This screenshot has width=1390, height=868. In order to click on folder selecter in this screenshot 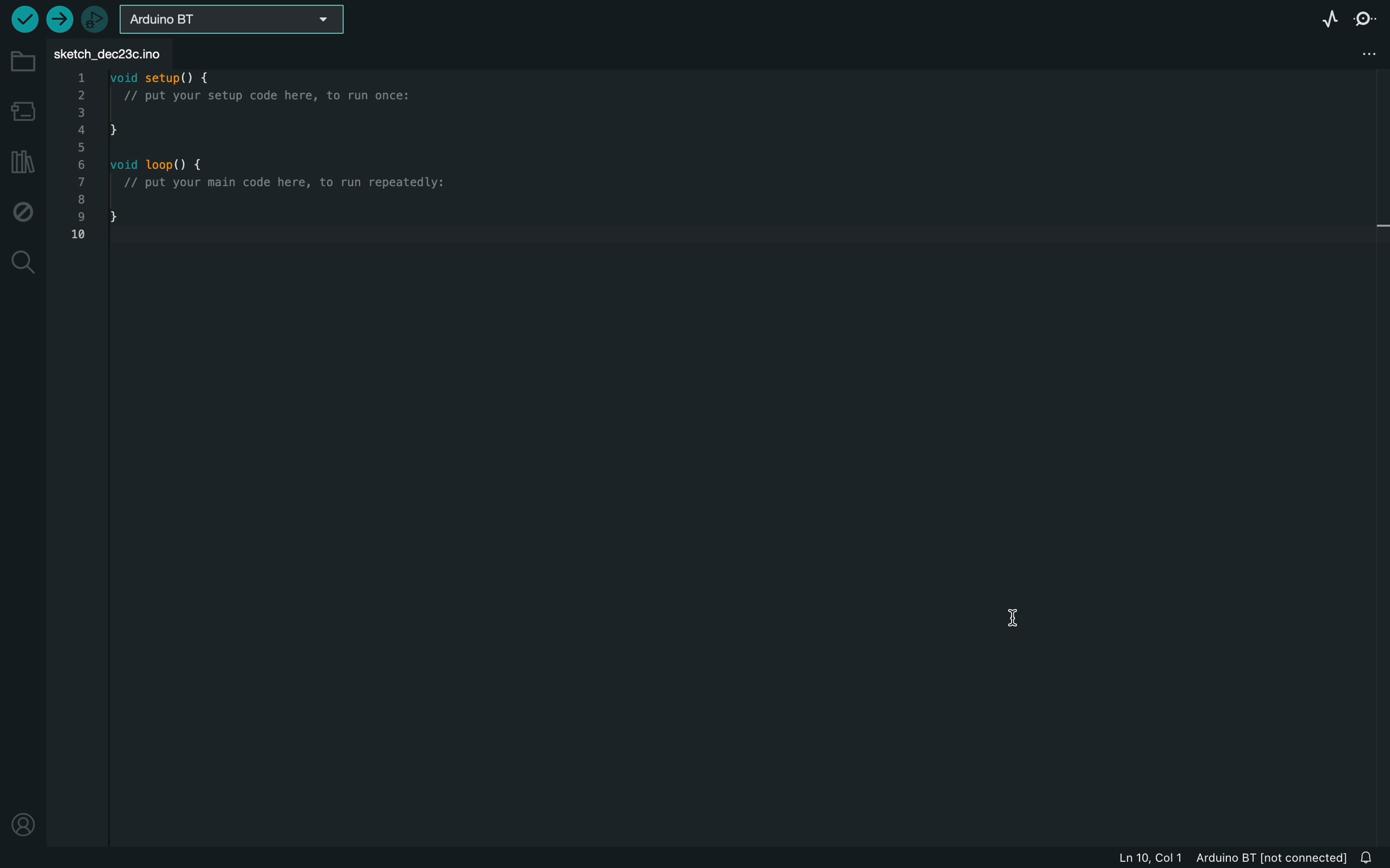, I will do `click(234, 19)`.